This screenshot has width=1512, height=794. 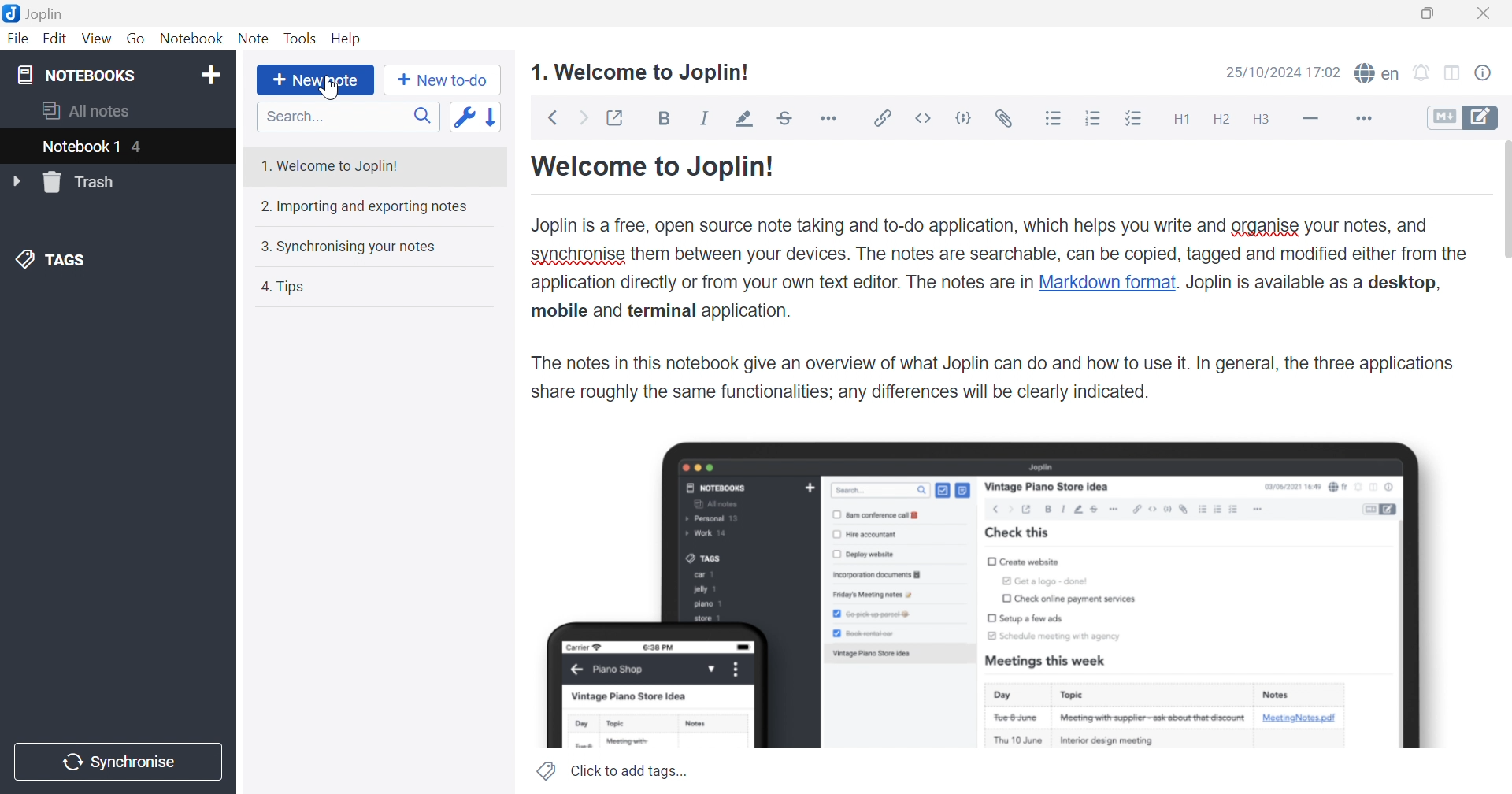 I want to click on Inline code, so click(x=925, y=118).